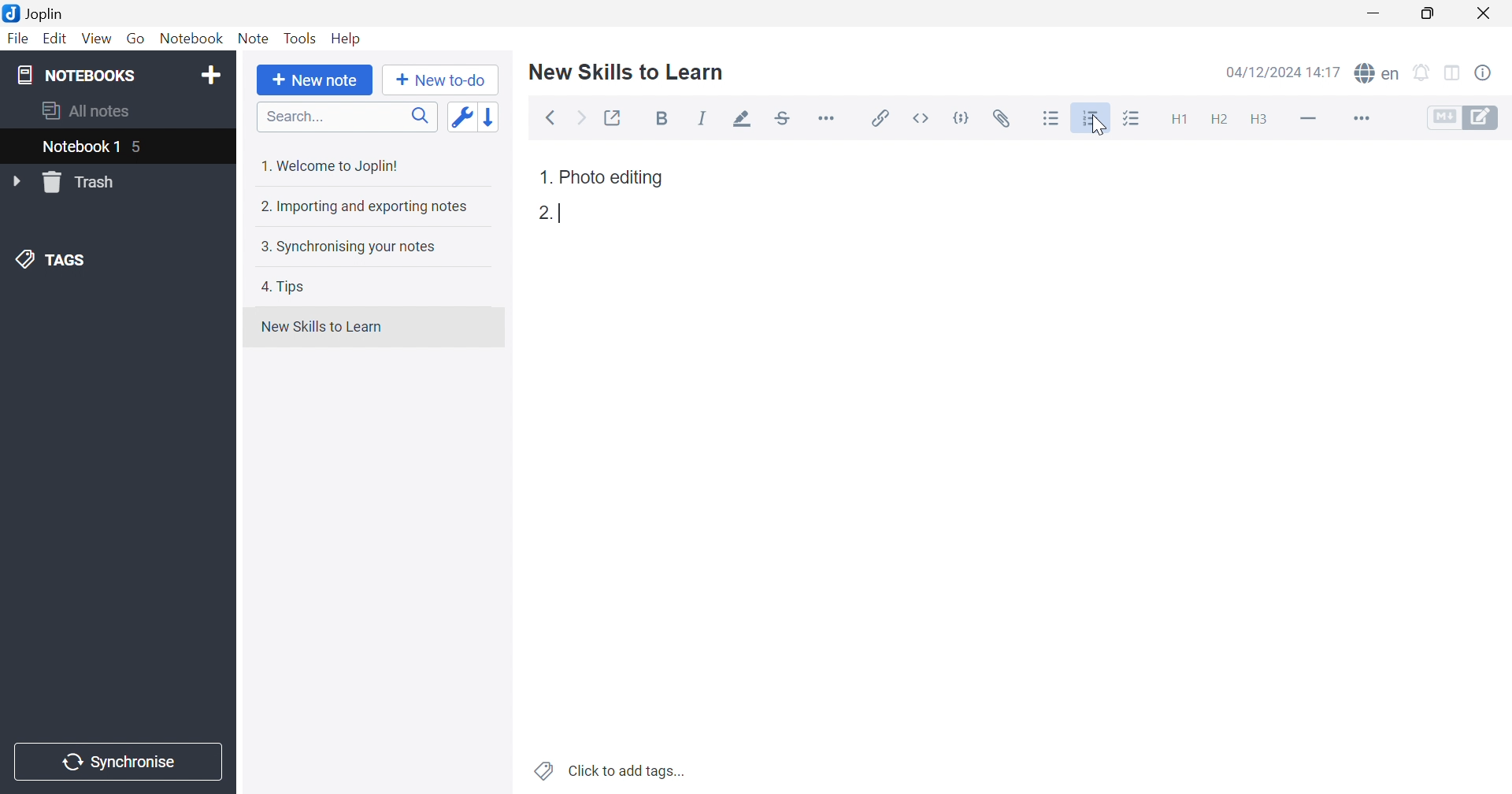  Describe the element at coordinates (78, 146) in the screenshot. I see `Notebook1` at that location.